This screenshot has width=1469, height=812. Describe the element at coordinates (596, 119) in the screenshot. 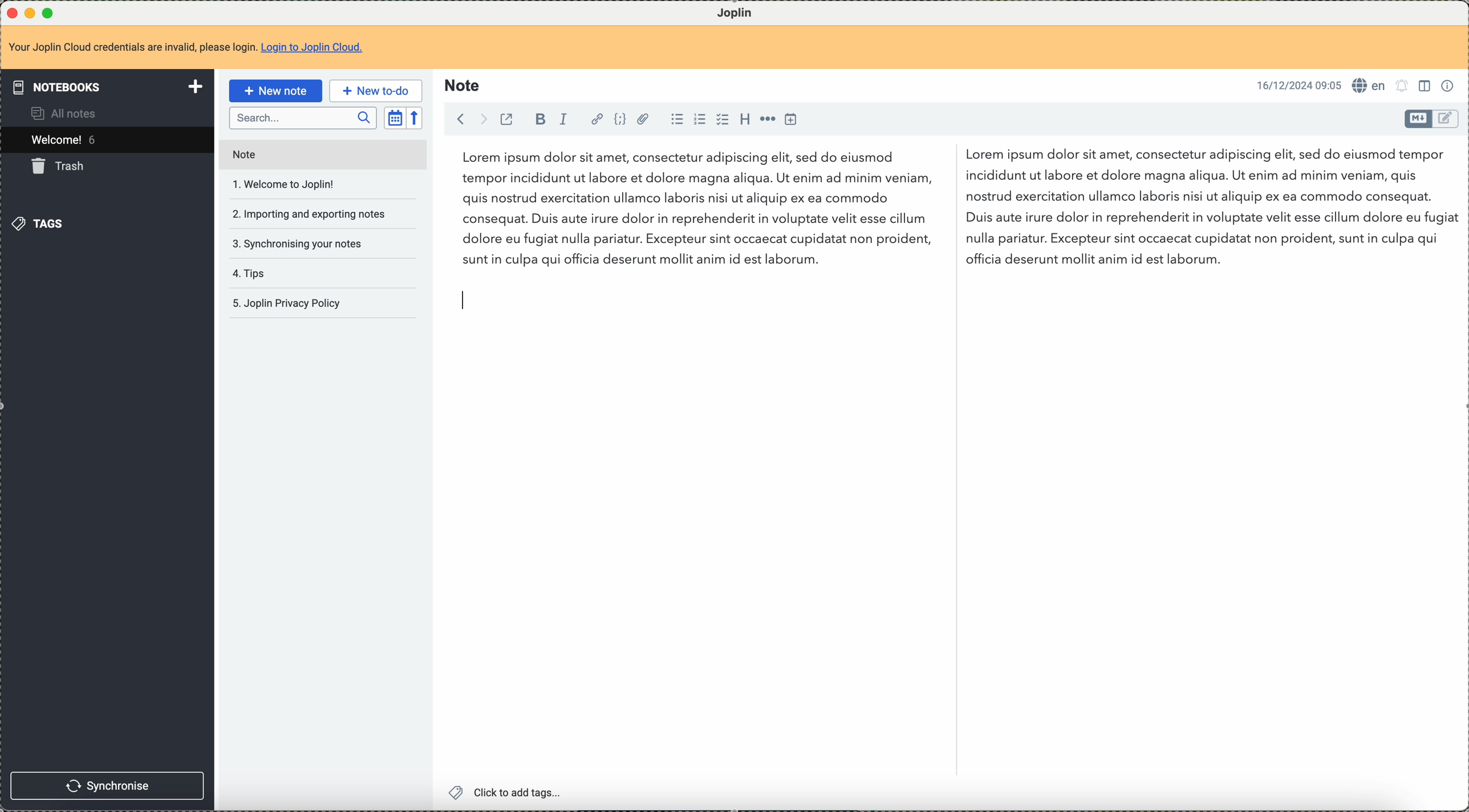

I see `hyperlink` at that location.